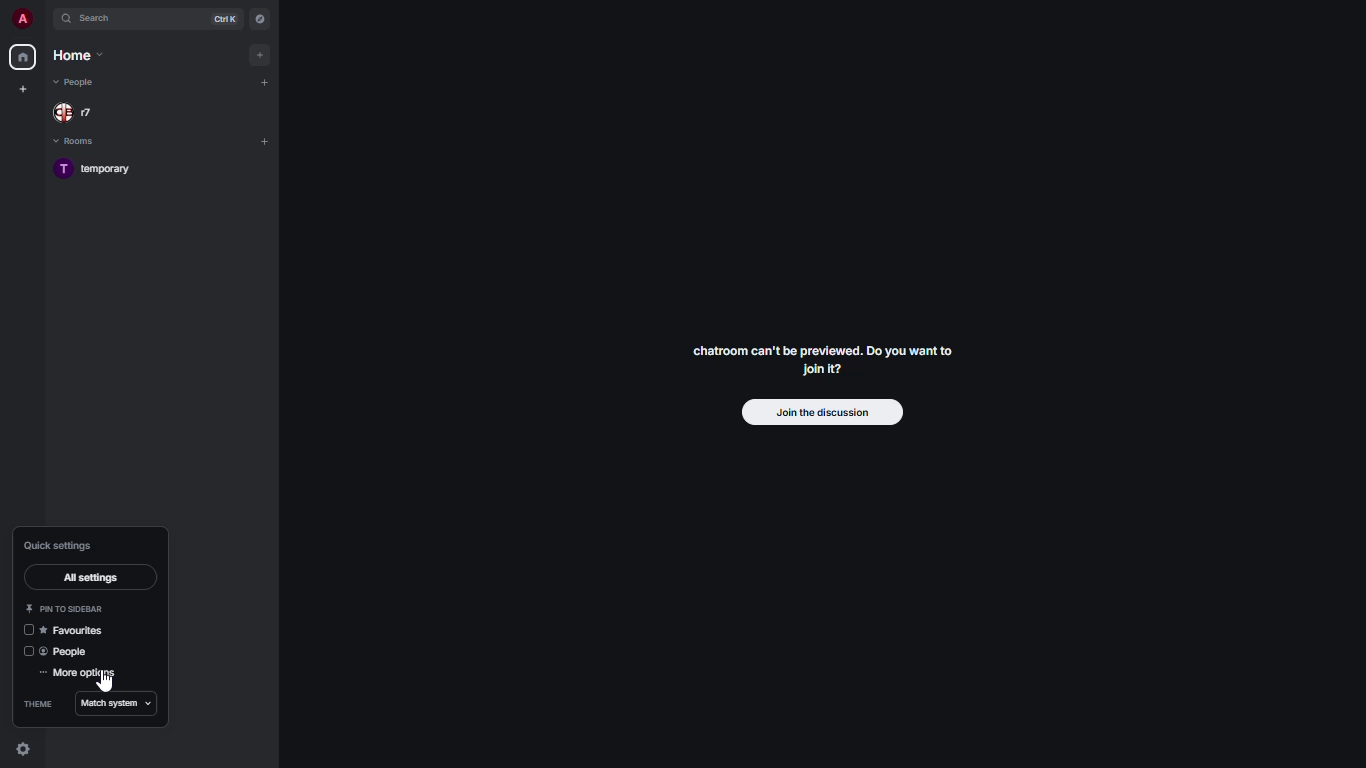 The height and width of the screenshot is (768, 1366). I want to click on people, so click(72, 651).